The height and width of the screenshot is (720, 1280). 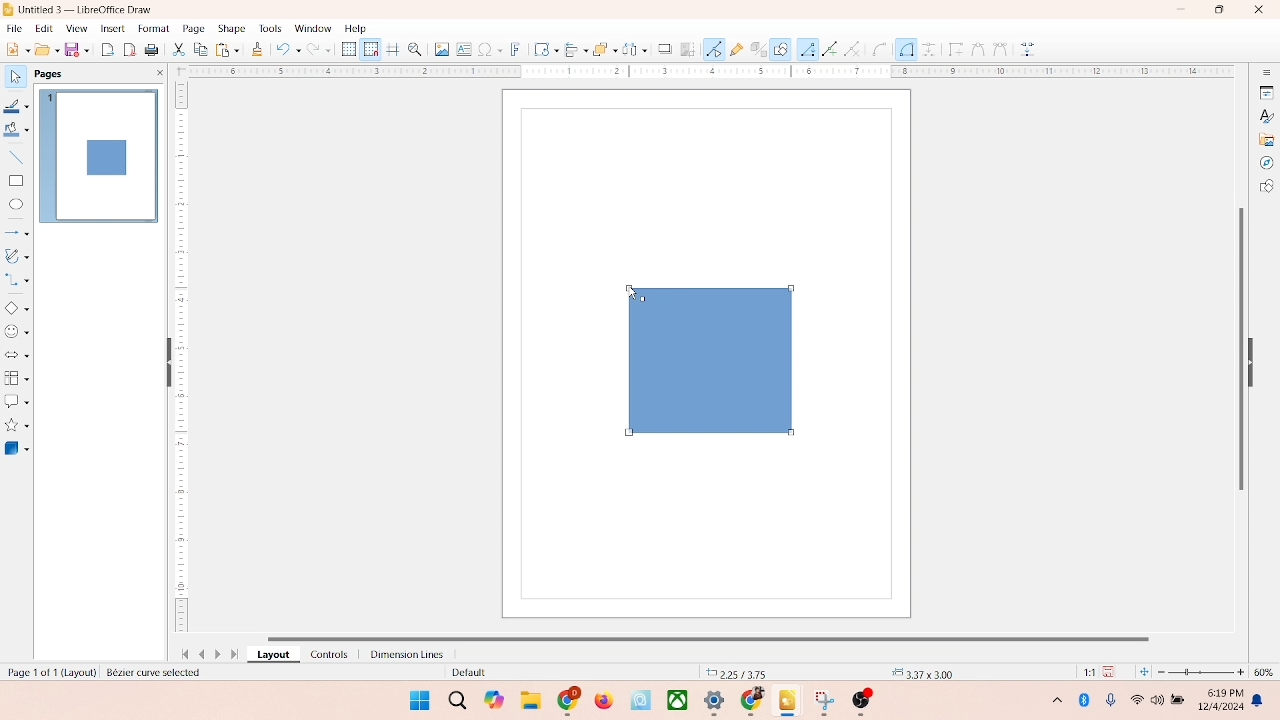 I want to click on hide, so click(x=165, y=364).